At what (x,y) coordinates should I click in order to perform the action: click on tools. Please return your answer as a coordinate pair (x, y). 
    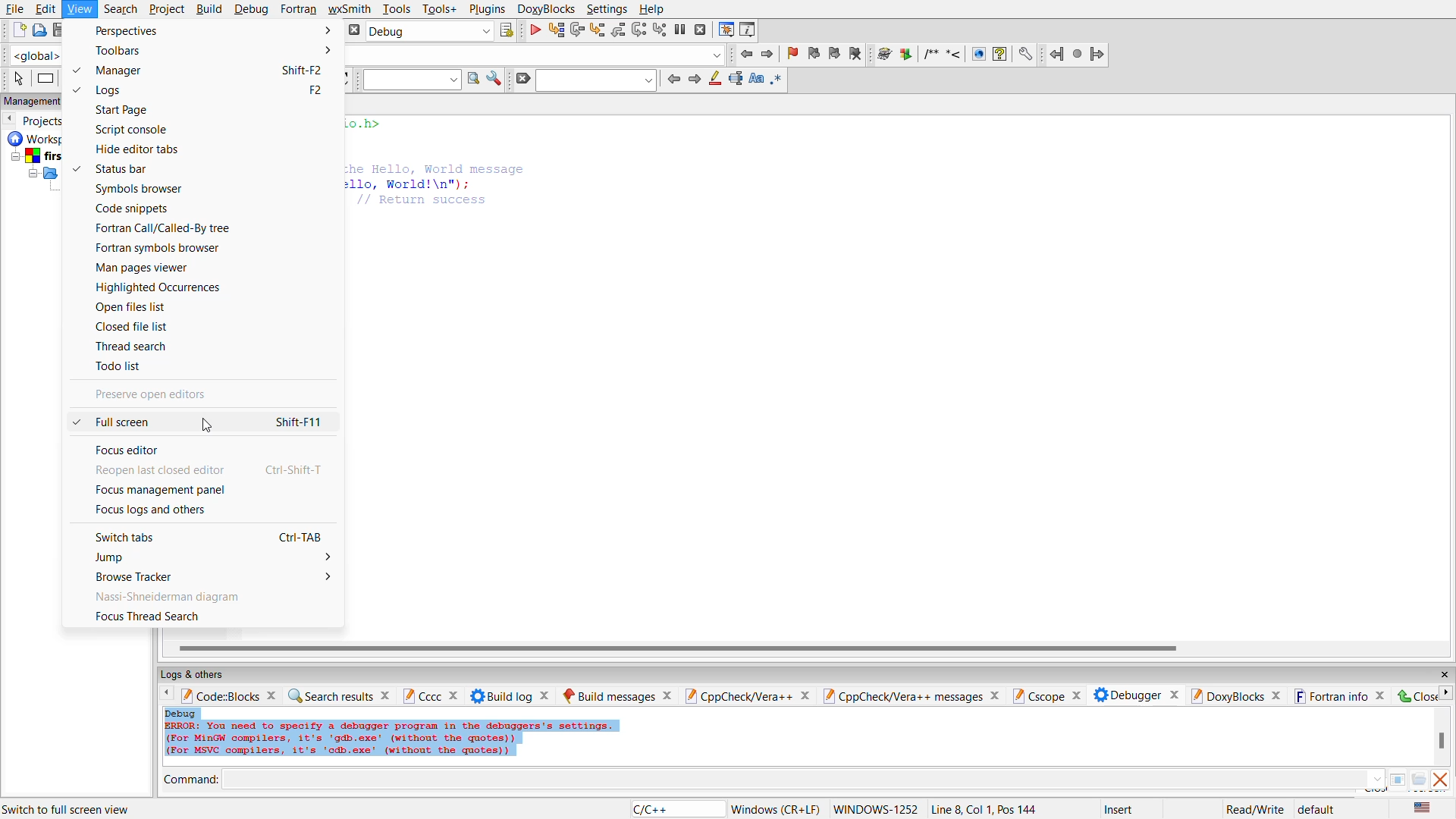
    Looking at the image, I should click on (398, 11).